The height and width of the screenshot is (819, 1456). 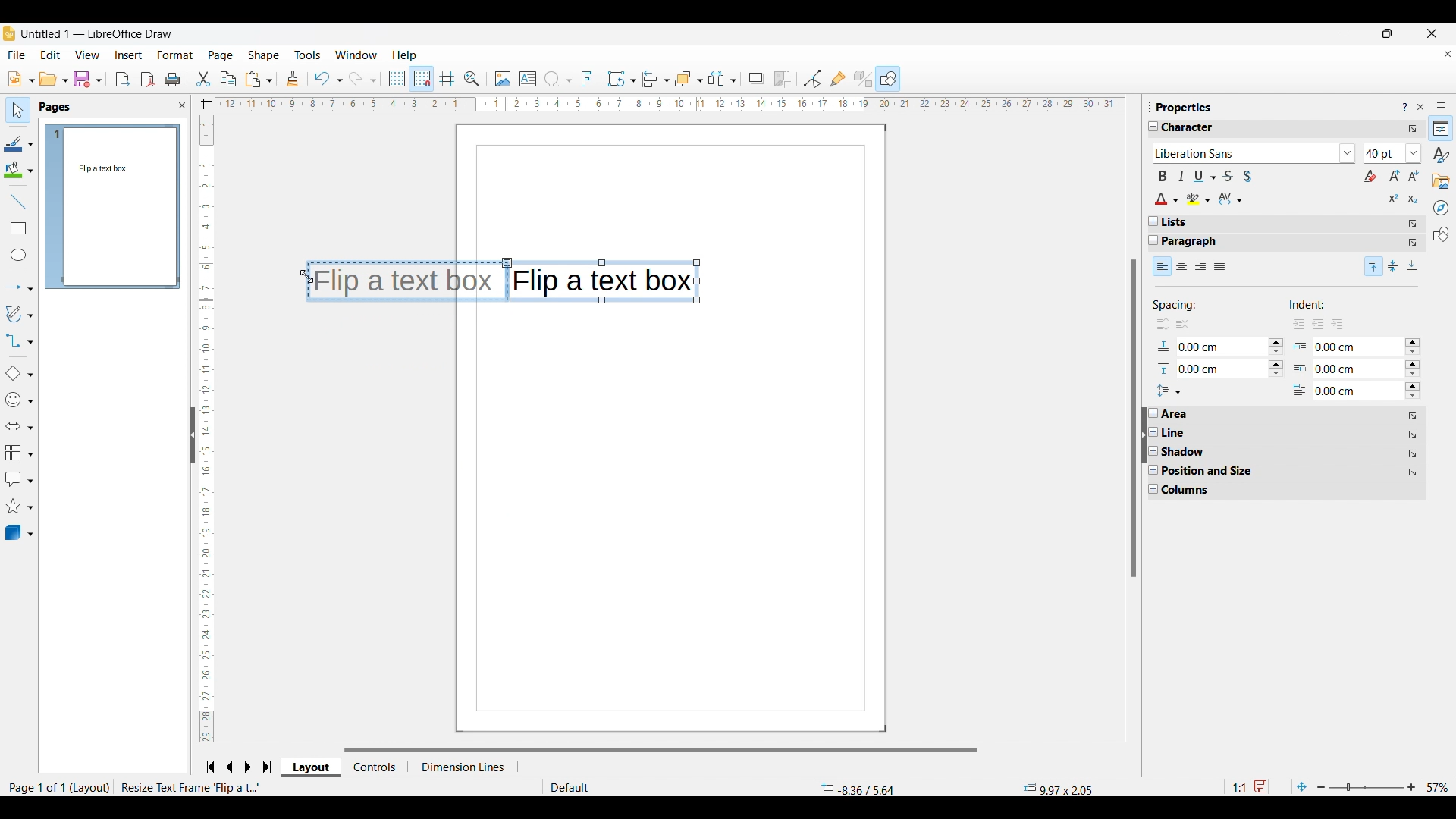 I want to click on Page 1 of 1, so click(x=33, y=787).